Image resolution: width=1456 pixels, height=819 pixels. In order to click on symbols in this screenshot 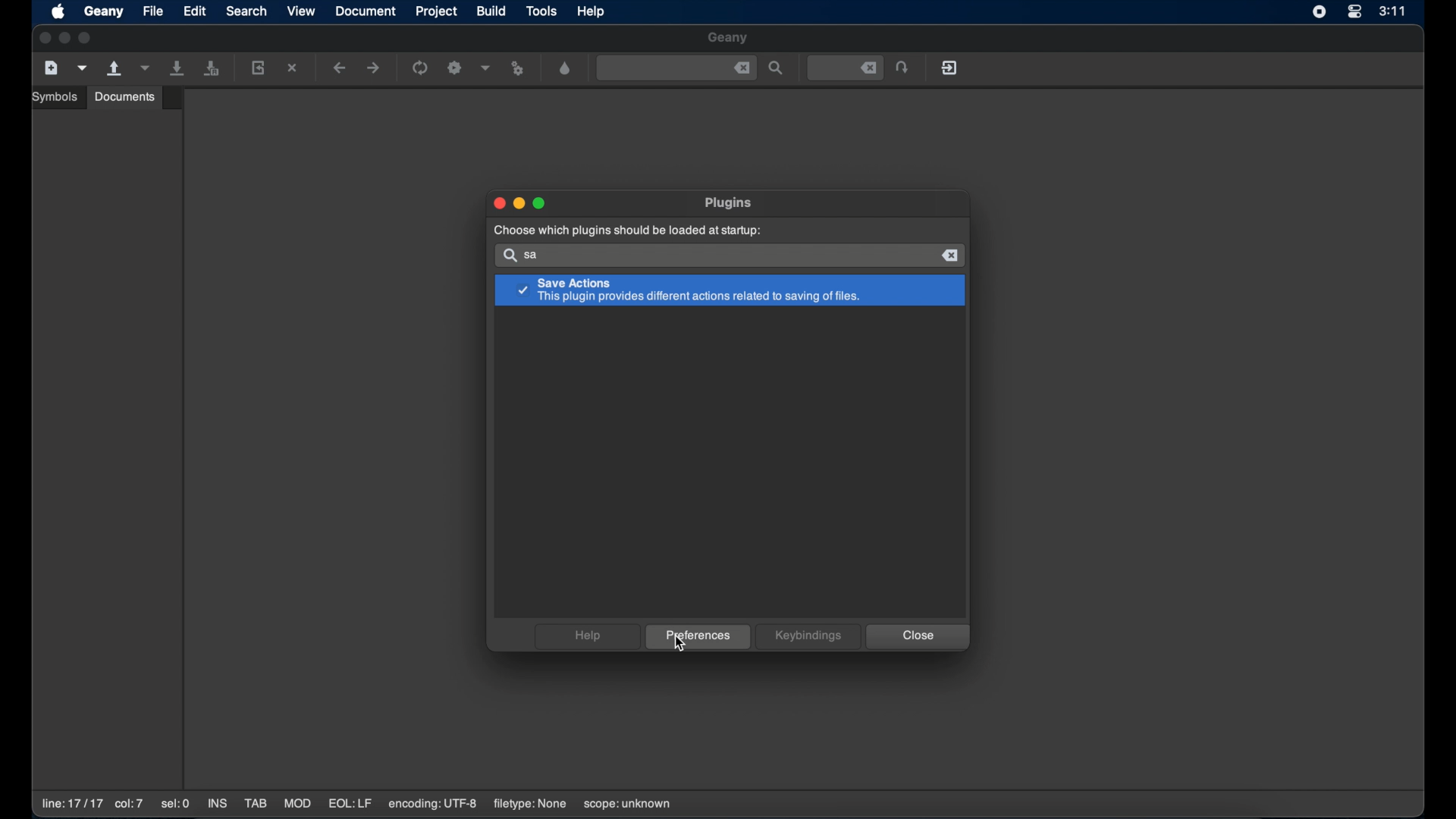, I will do `click(57, 97)`.